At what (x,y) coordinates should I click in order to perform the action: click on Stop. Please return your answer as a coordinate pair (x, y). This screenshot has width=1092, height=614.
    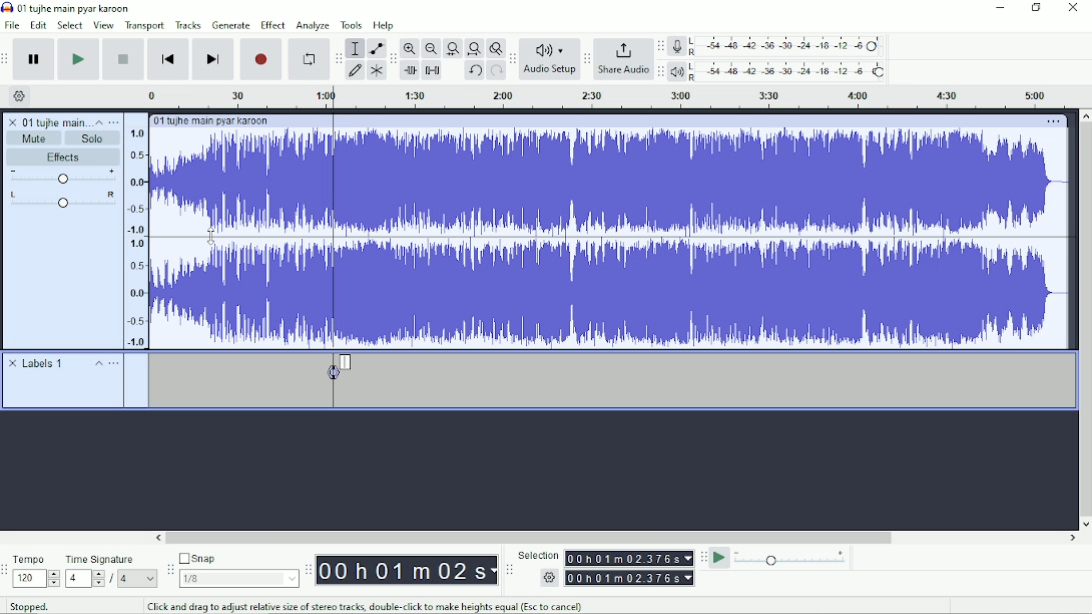
    Looking at the image, I should click on (123, 59).